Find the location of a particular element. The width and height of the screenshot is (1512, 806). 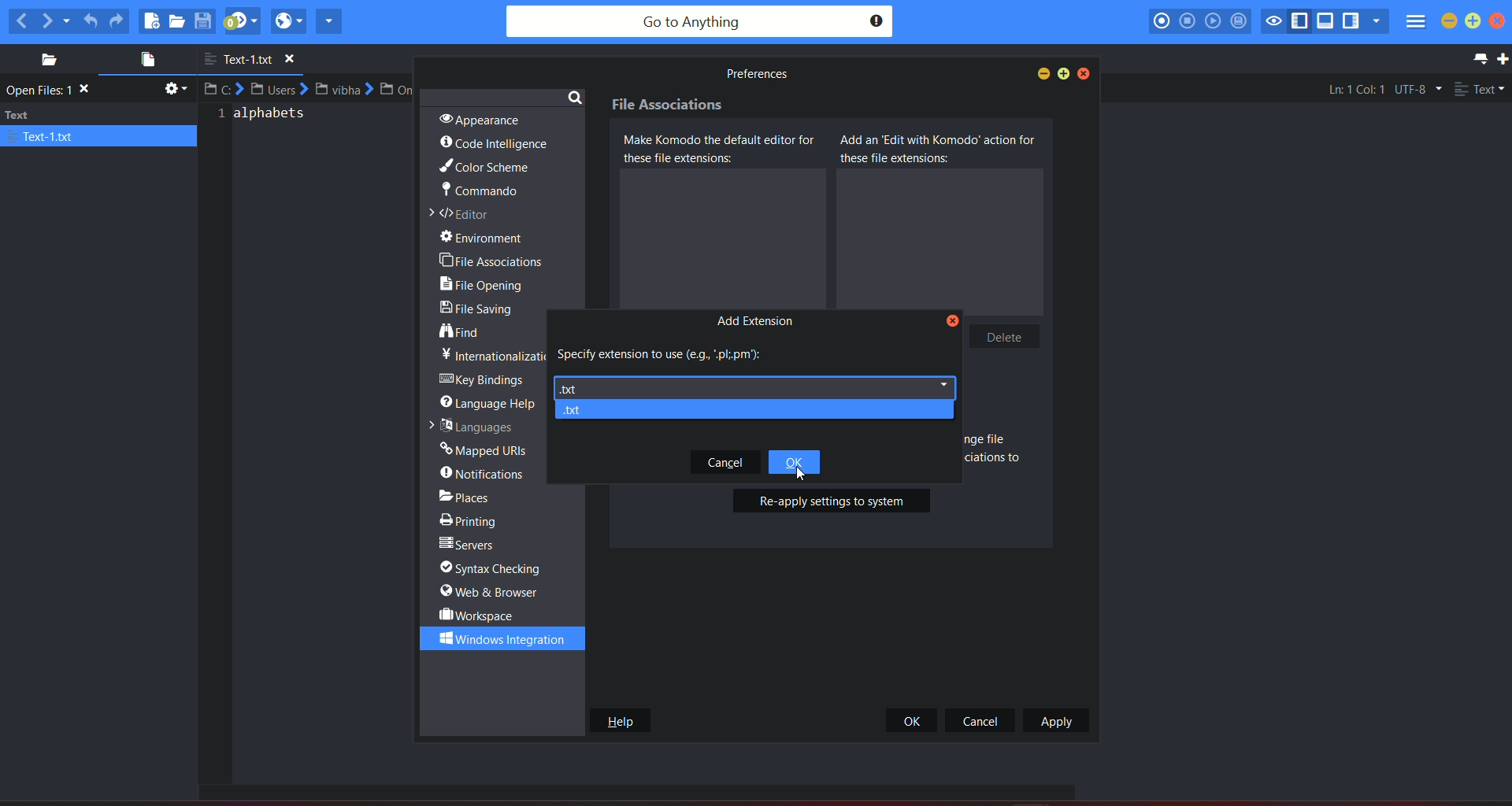

code intelligence is located at coordinates (495, 144).